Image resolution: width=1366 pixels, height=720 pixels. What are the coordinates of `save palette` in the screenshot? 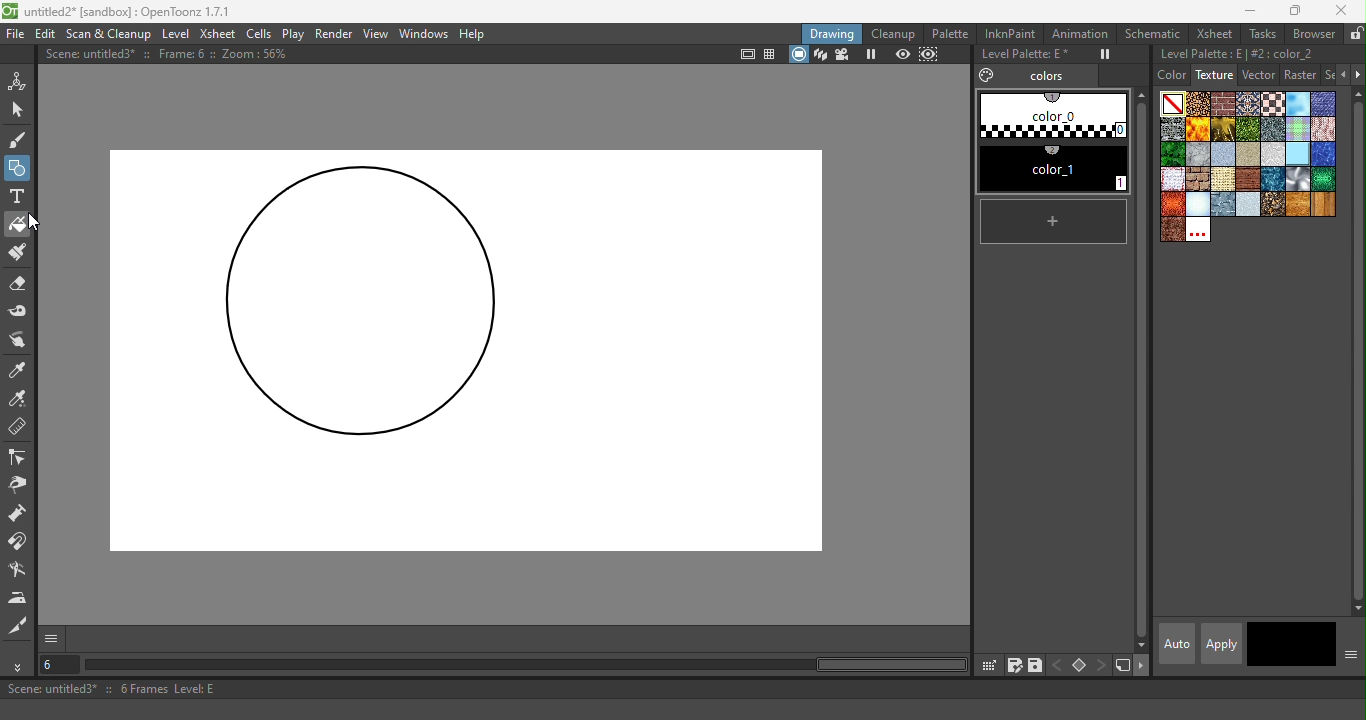 It's located at (1036, 665).